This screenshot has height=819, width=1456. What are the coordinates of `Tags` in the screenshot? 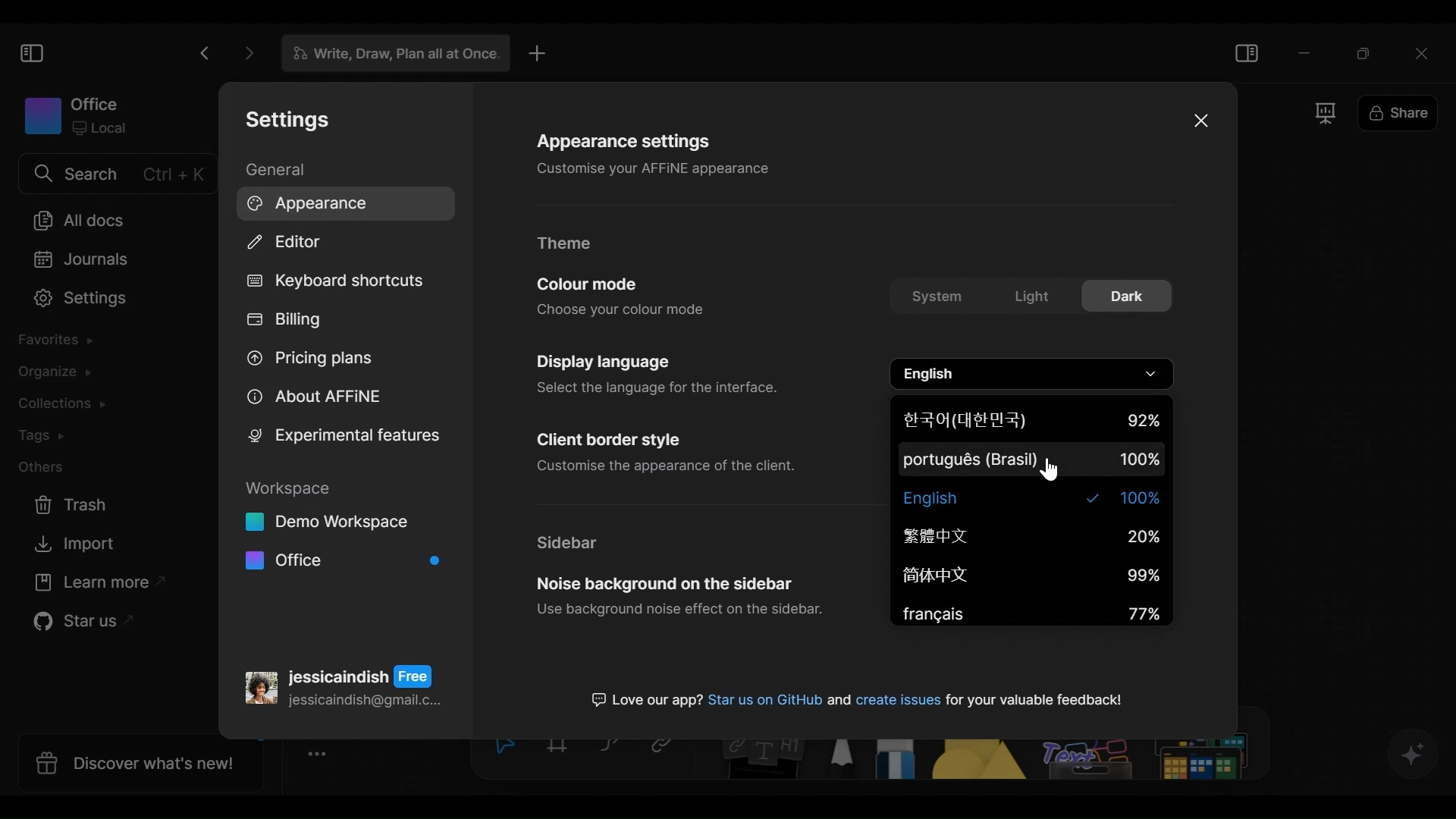 It's located at (46, 436).